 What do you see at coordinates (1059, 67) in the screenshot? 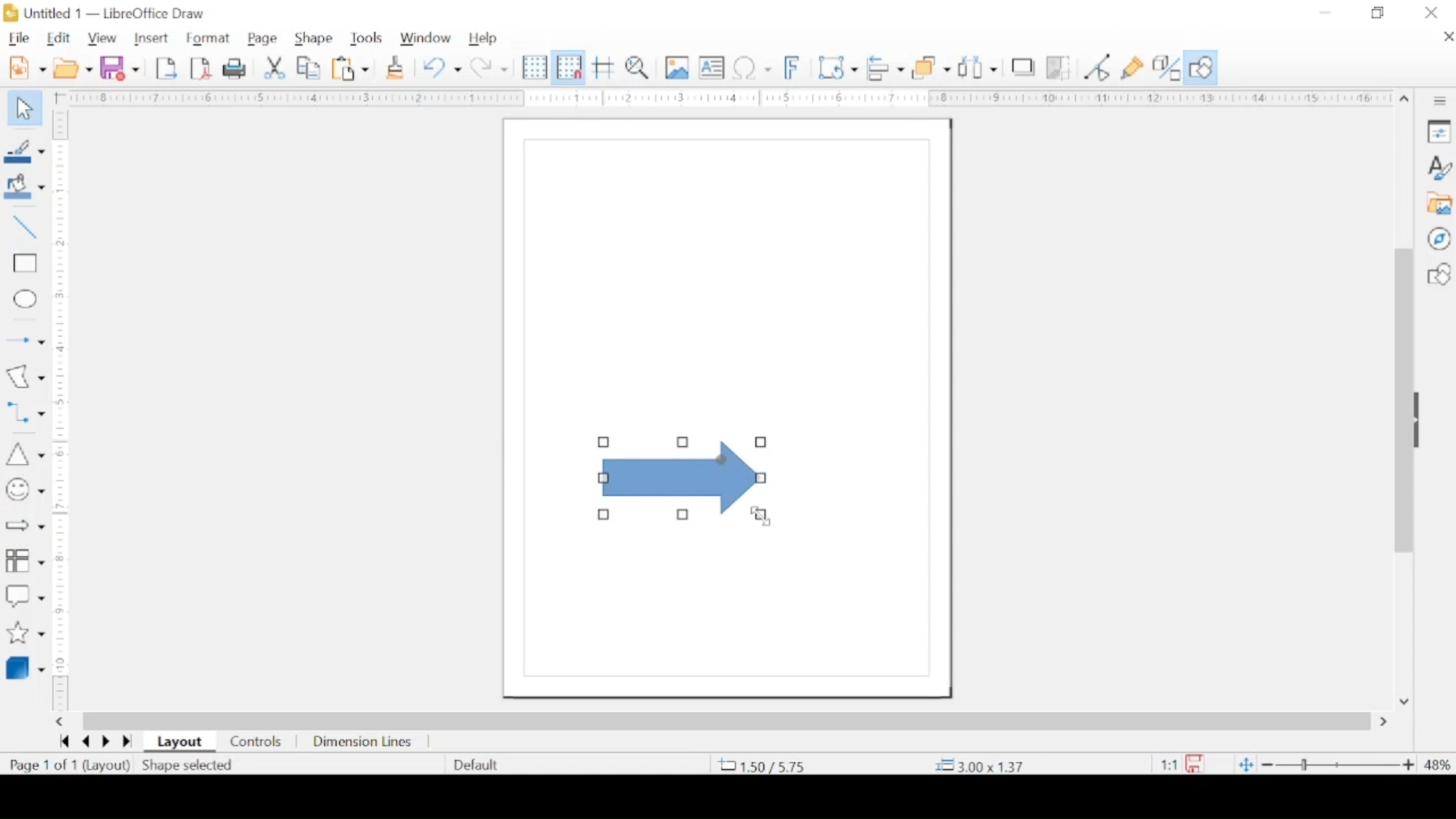
I see `crop image` at bounding box center [1059, 67].